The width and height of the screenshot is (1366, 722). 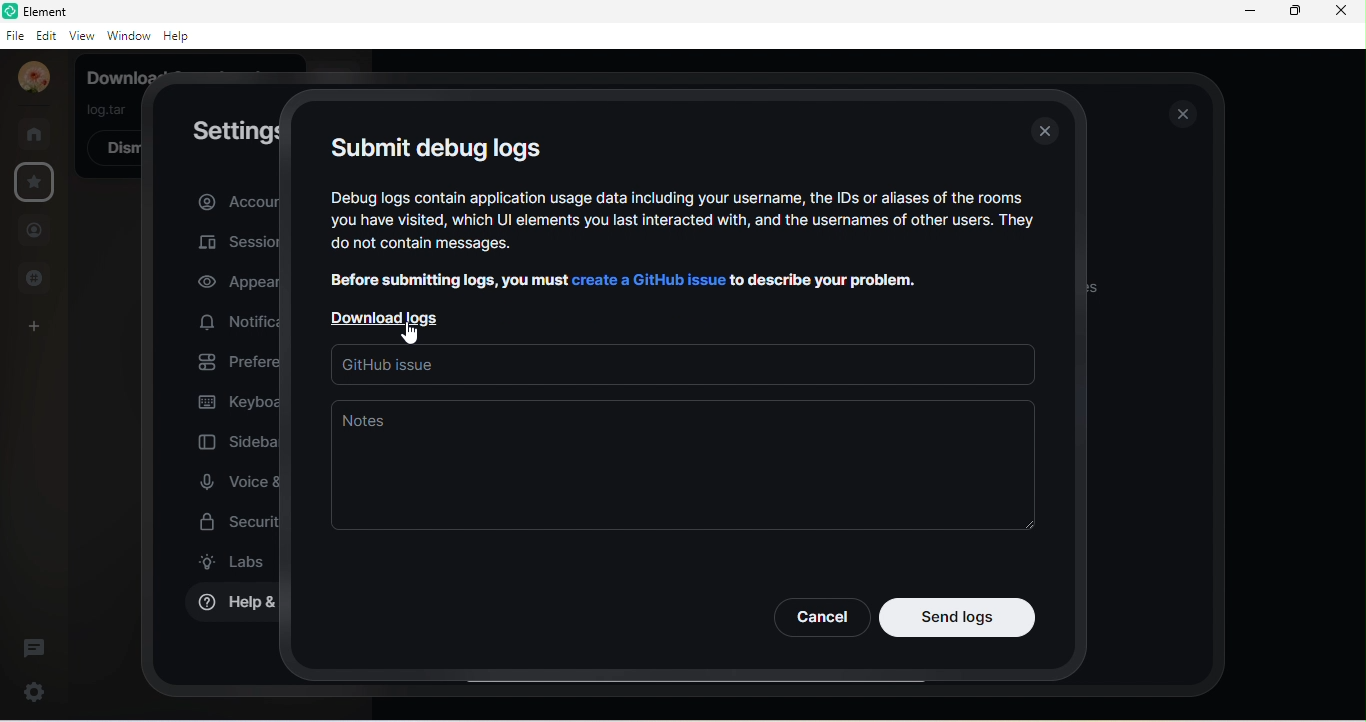 What do you see at coordinates (679, 368) in the screenshot?
I see `https://github.com/vector-im/element-web/issues/...` at bounding box center [679, 368].